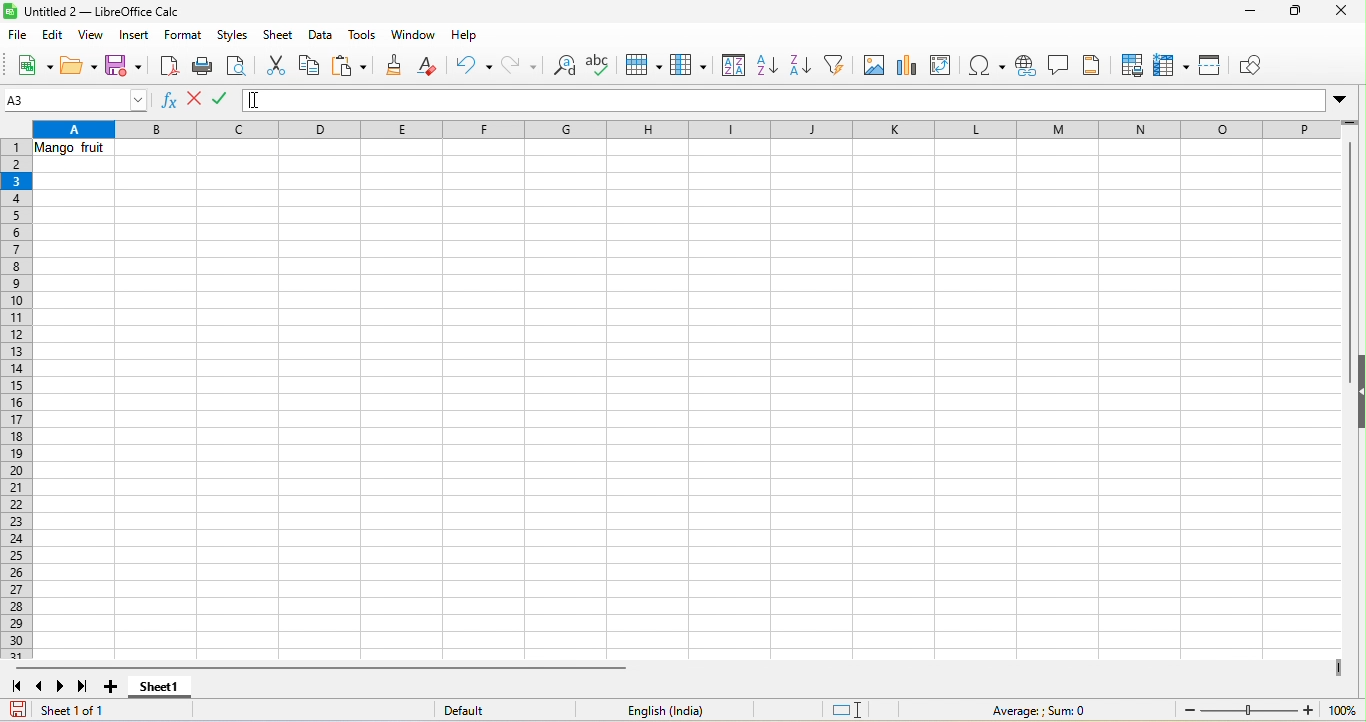  What do you see at coordinates (135, 36) in the screenshot?
I see `insert` at bounding box center [135, 36].